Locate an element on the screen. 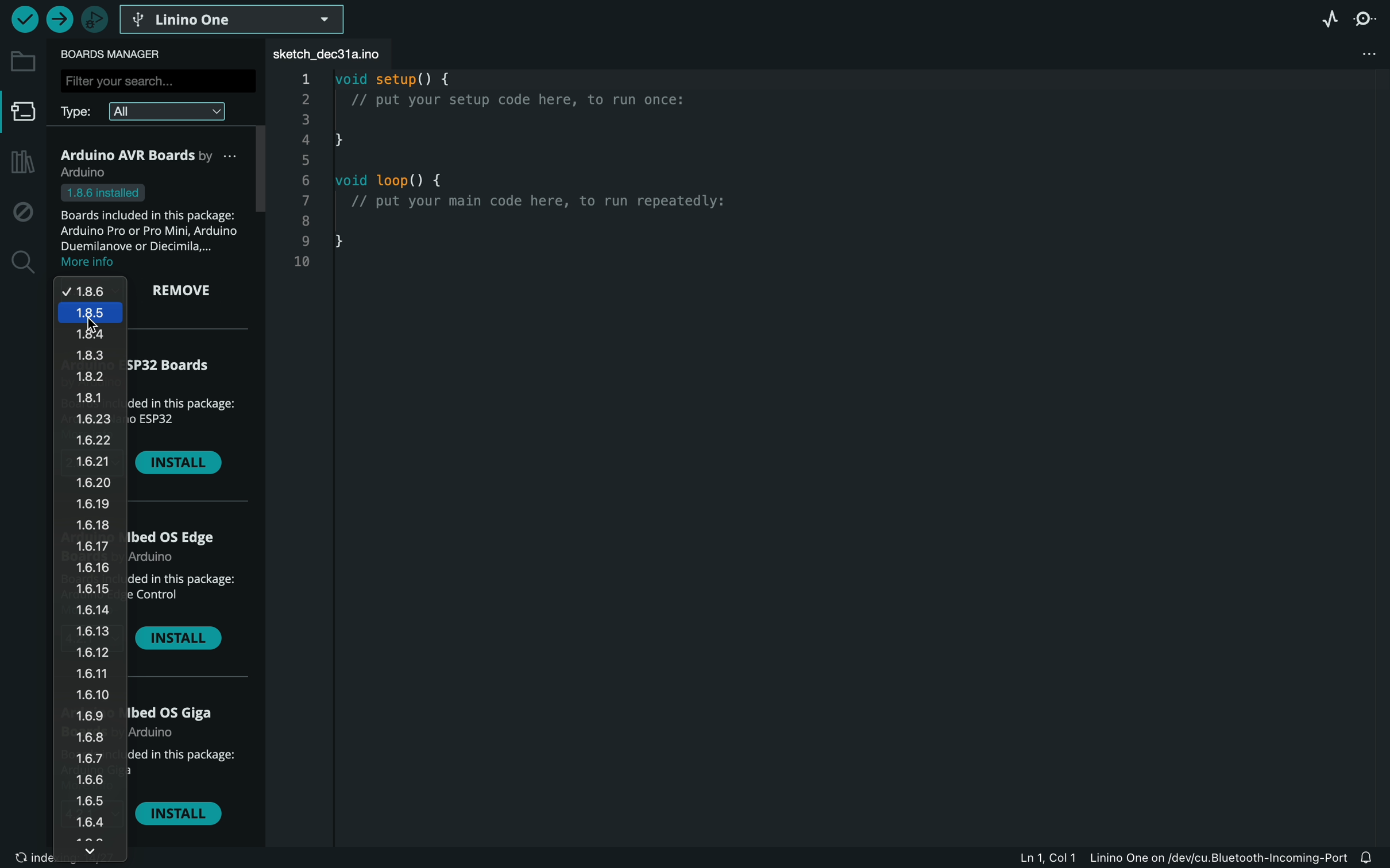 The height and width of the screenshot is (868, 1390). 1 is located at coordinates (304, 79).